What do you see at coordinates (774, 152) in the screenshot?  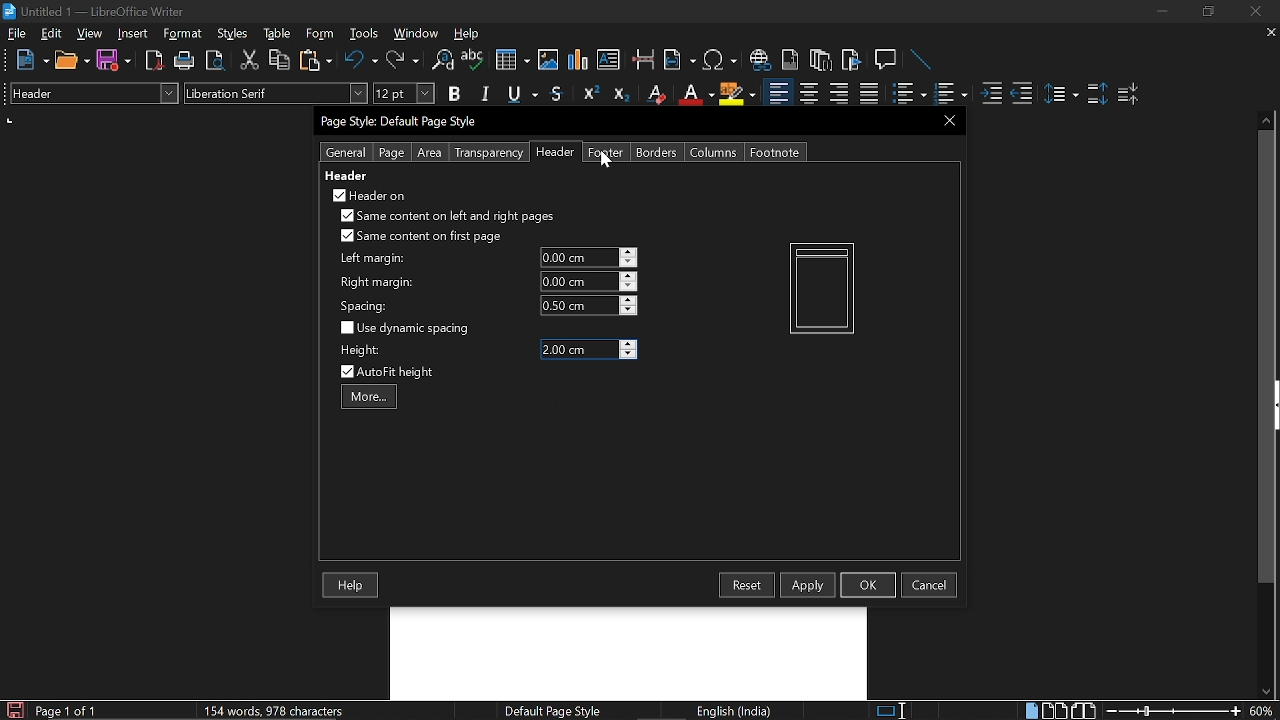 I see `Footnote` at bounding box center [774, 152].